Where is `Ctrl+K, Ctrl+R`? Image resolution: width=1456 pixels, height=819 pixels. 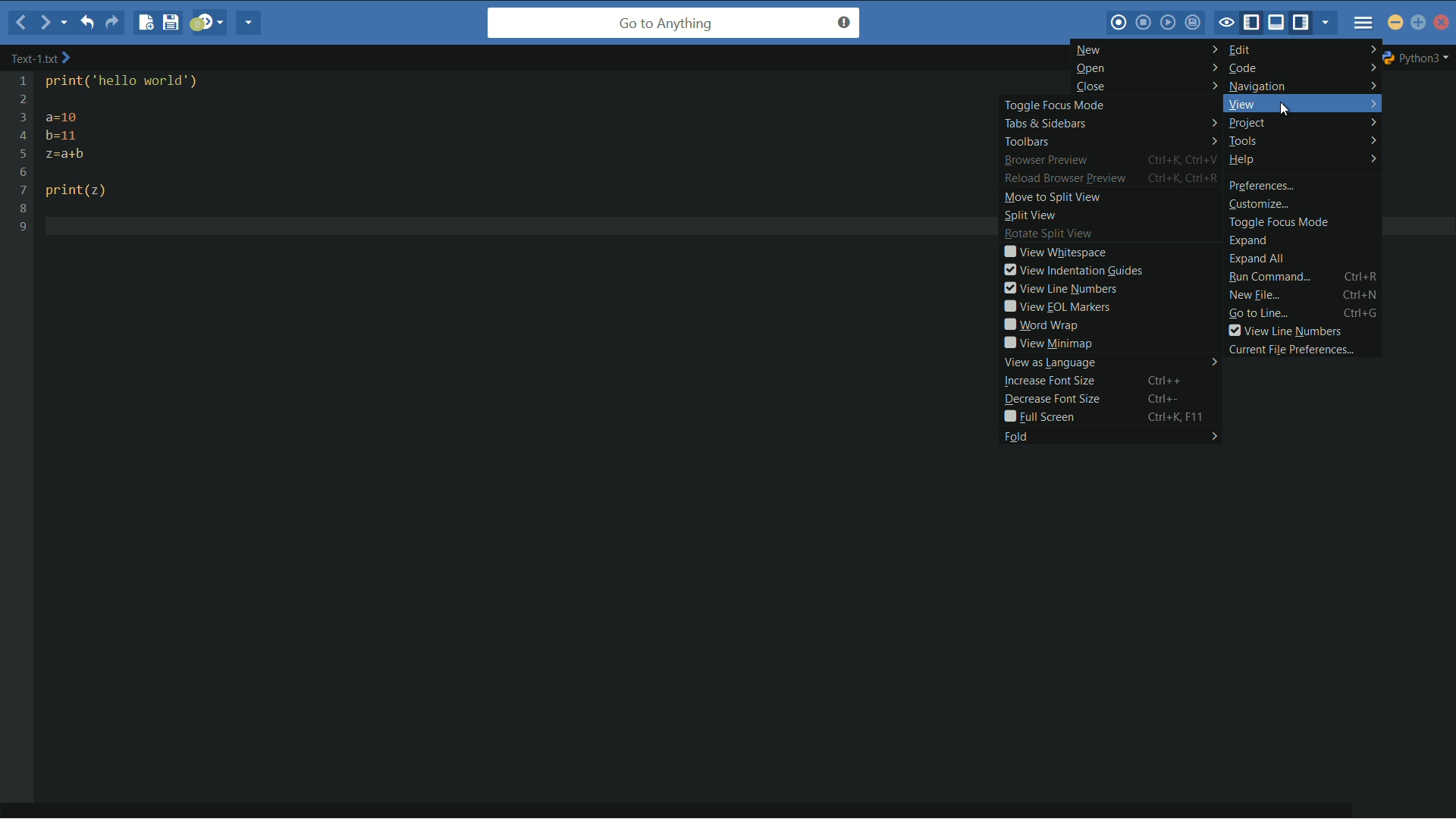 Ctrl+K, Ctrl+R is located at coordinates (1185, 178).